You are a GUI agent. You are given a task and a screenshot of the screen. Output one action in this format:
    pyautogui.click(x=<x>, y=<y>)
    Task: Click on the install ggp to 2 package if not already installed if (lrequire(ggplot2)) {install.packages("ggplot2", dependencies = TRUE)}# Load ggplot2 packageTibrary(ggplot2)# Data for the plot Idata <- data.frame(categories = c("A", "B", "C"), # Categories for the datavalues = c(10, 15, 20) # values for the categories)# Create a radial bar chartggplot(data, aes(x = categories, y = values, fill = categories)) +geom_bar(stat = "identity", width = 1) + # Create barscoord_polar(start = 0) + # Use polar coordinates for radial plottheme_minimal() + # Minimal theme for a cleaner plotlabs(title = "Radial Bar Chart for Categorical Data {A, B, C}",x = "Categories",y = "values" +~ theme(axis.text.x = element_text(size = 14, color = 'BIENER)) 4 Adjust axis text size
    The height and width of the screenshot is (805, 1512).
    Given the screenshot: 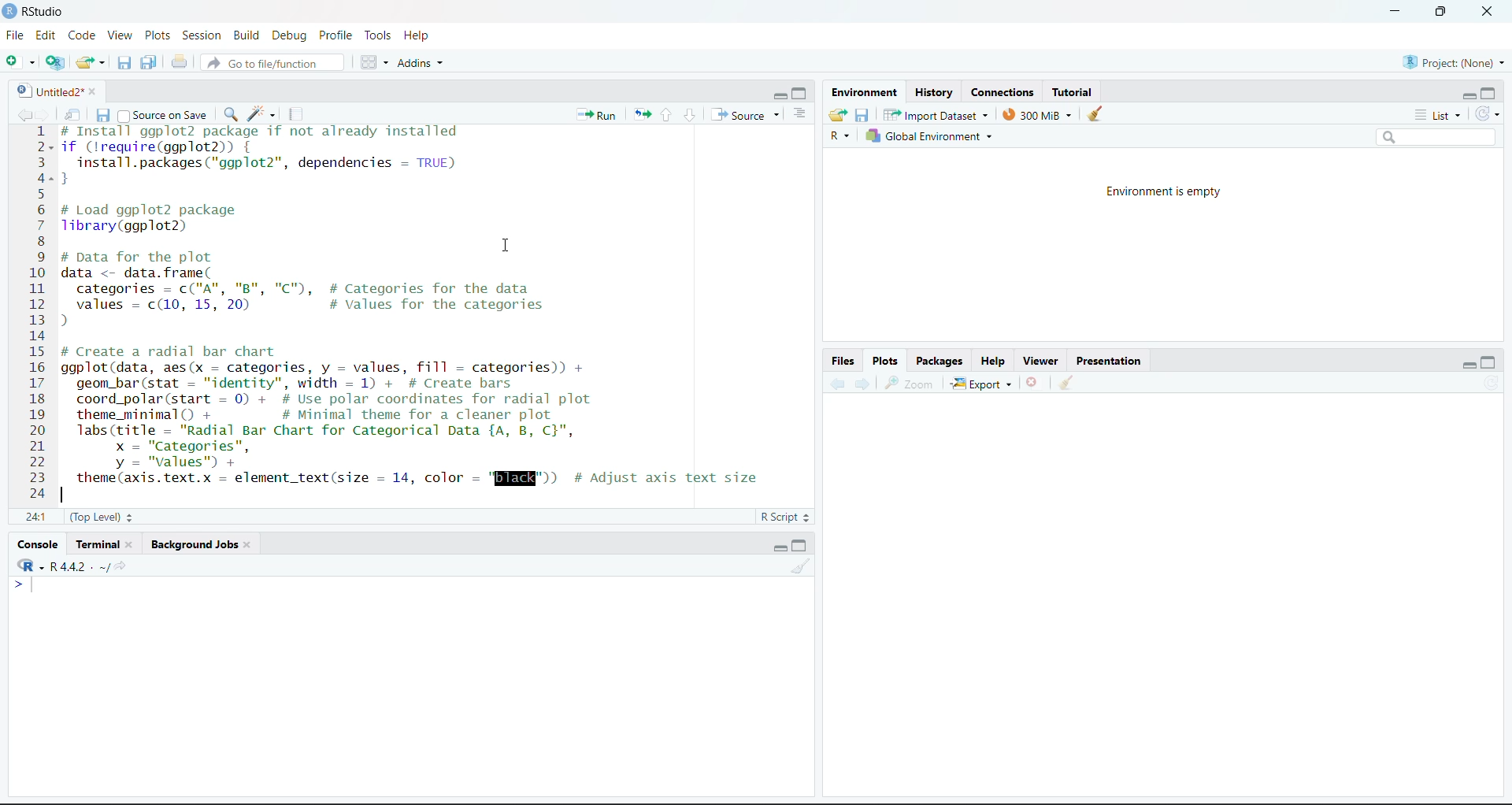 What is the action you would take?
    pyautogui.click(x=428, y=309)
    